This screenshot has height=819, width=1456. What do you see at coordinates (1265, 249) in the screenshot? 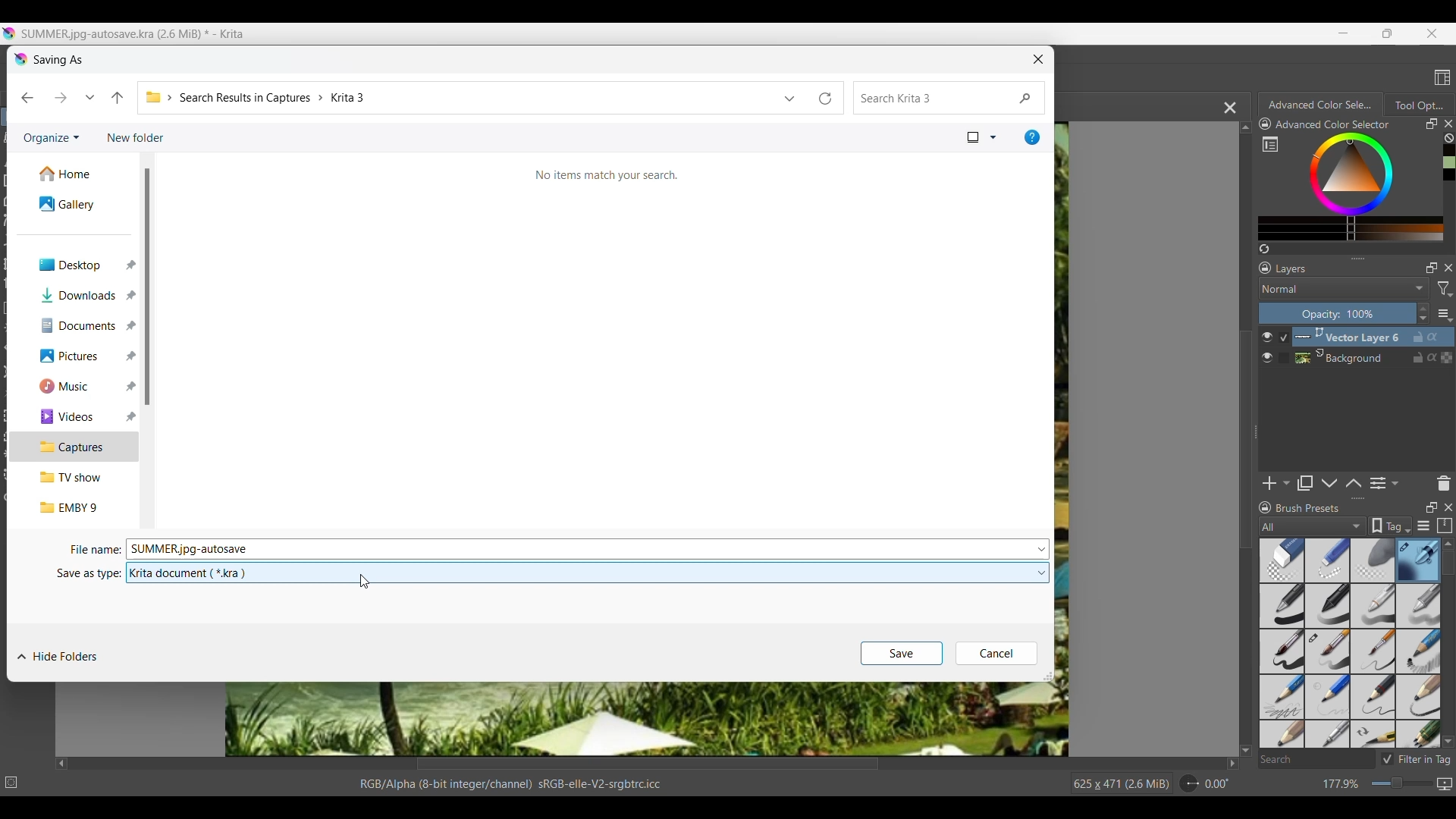
I see `Create a list of colors from the image` at bounding box center [1265, 249].